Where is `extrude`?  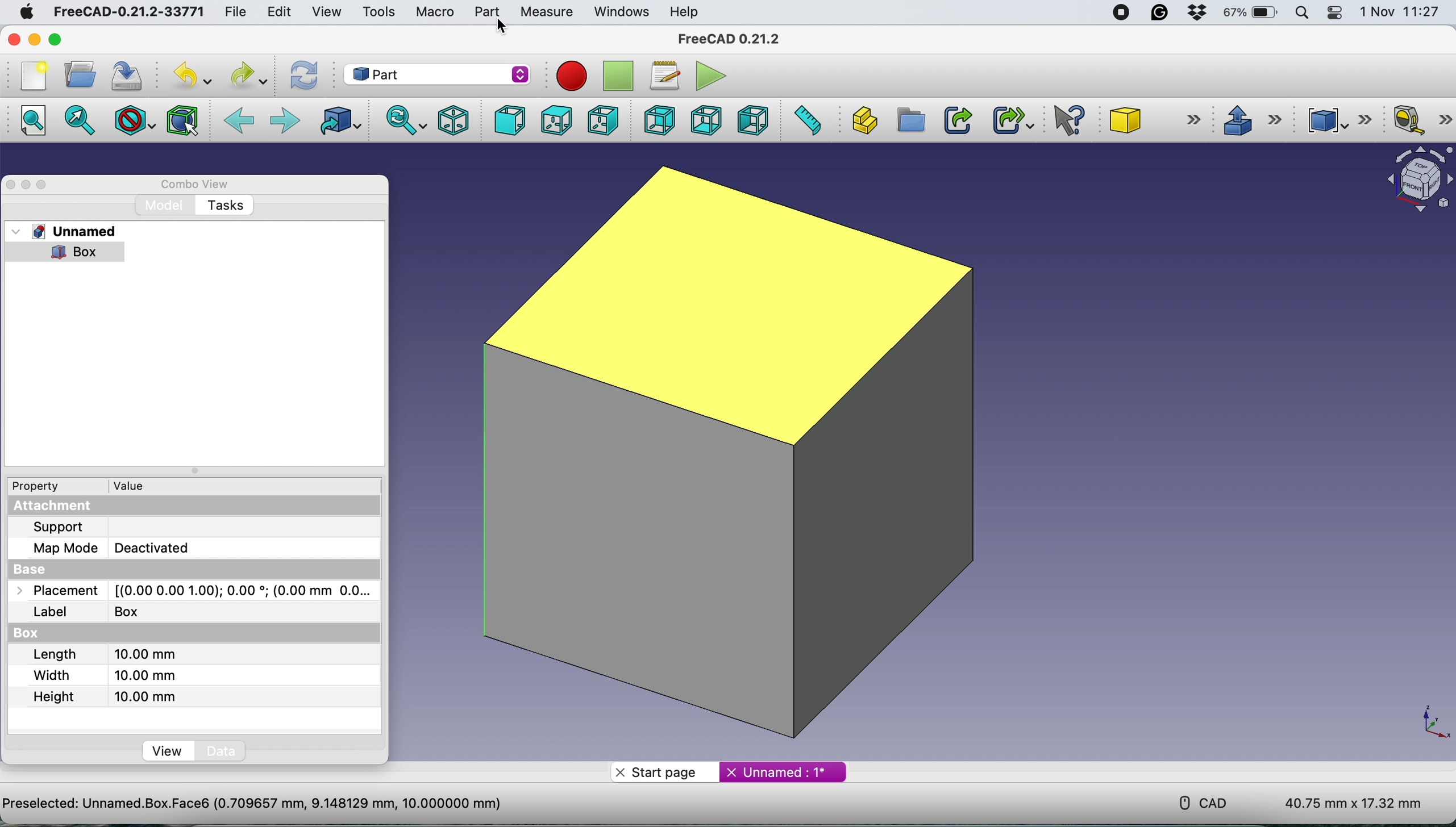 extrude is located at coordinates (1246, 119).